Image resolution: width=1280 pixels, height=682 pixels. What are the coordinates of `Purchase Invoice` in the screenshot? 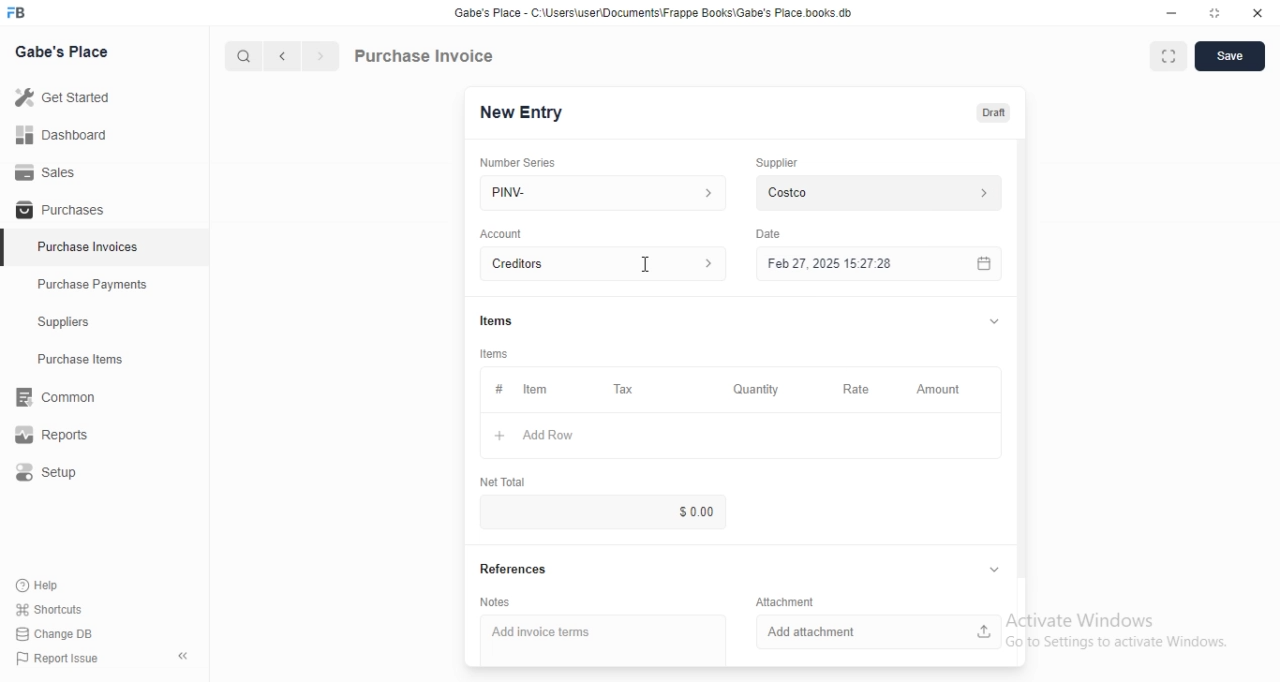 It's located at (425, 55).